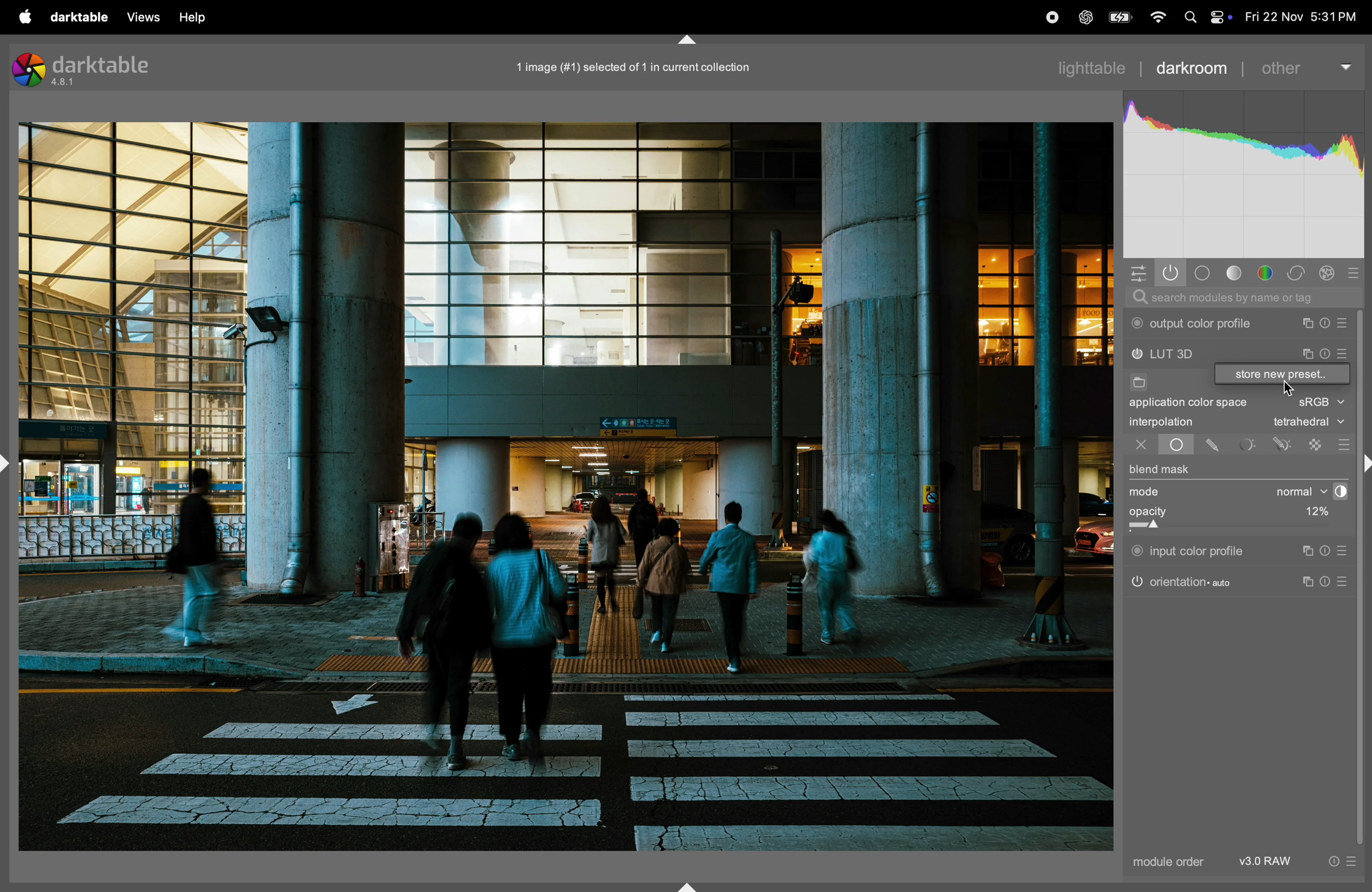 Image resolution: width=1372 pixels, height=892 pixels. Describe the element at coordinates (1192, 66) in the screenshot. I see `darkroom` at that location.